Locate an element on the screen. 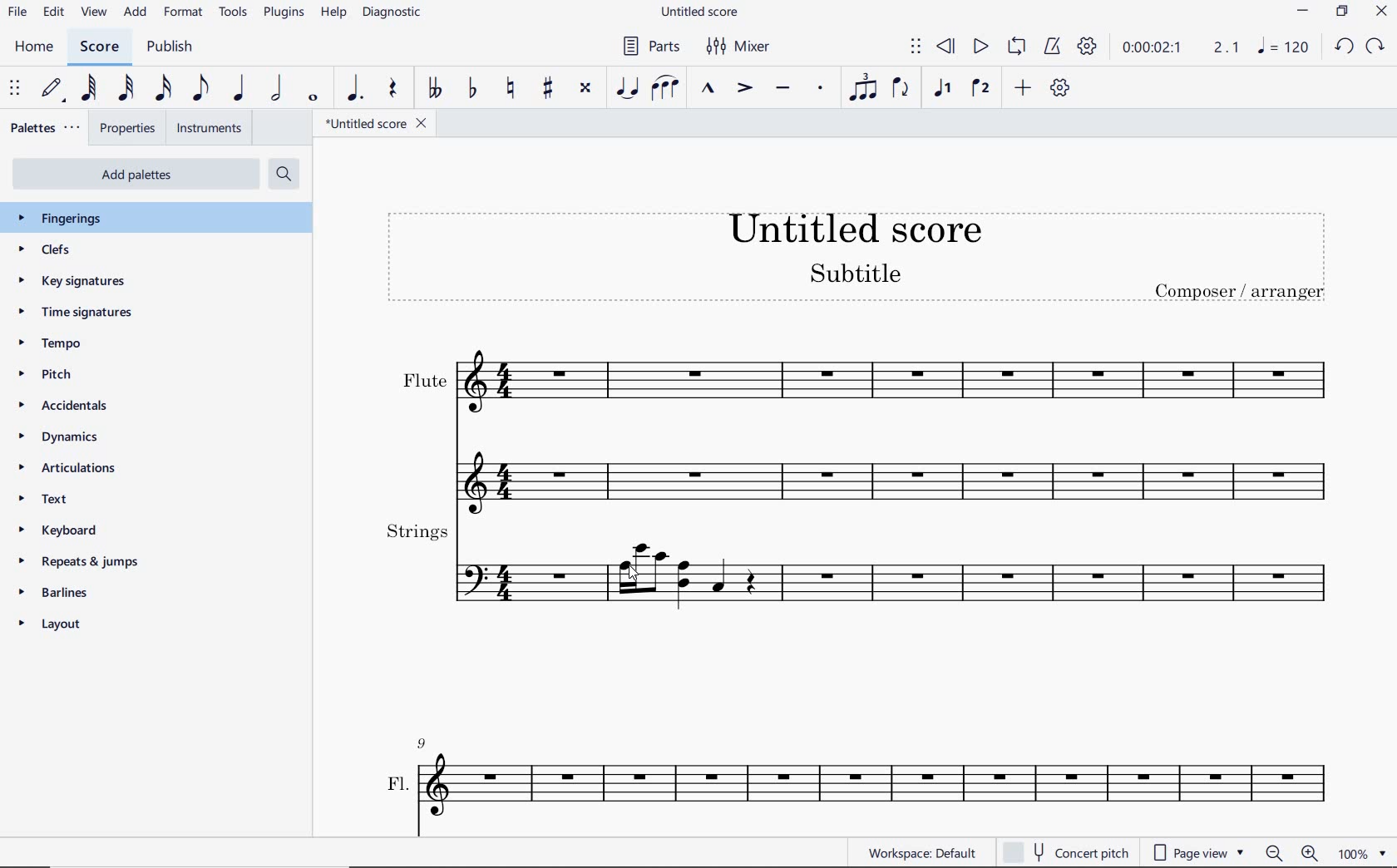 This screenshot has height=868, width=1397. Play time is located at coordinates (1180, 47).